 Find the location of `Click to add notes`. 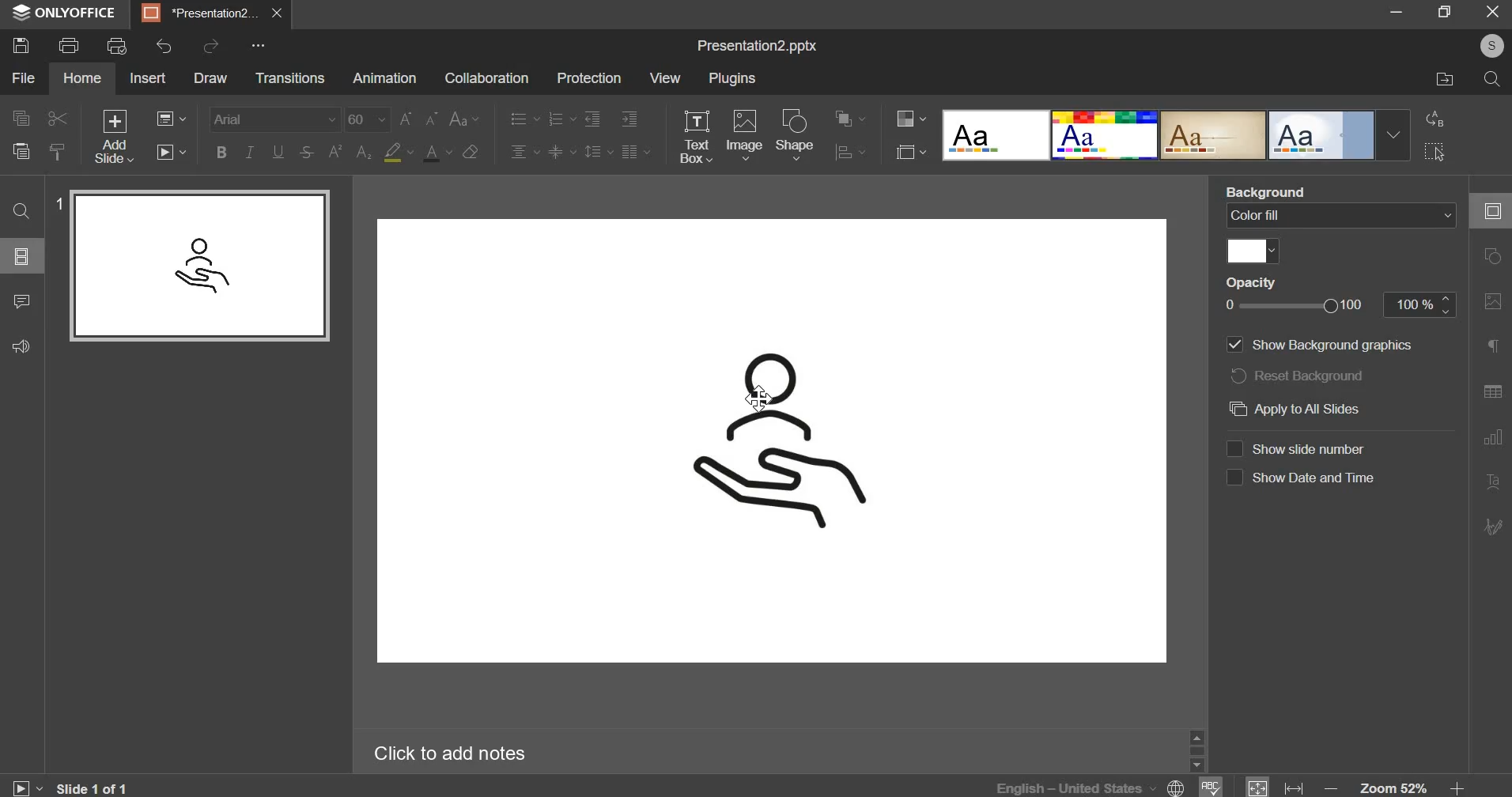

Click to add notes is located at coordinates (448, 753).